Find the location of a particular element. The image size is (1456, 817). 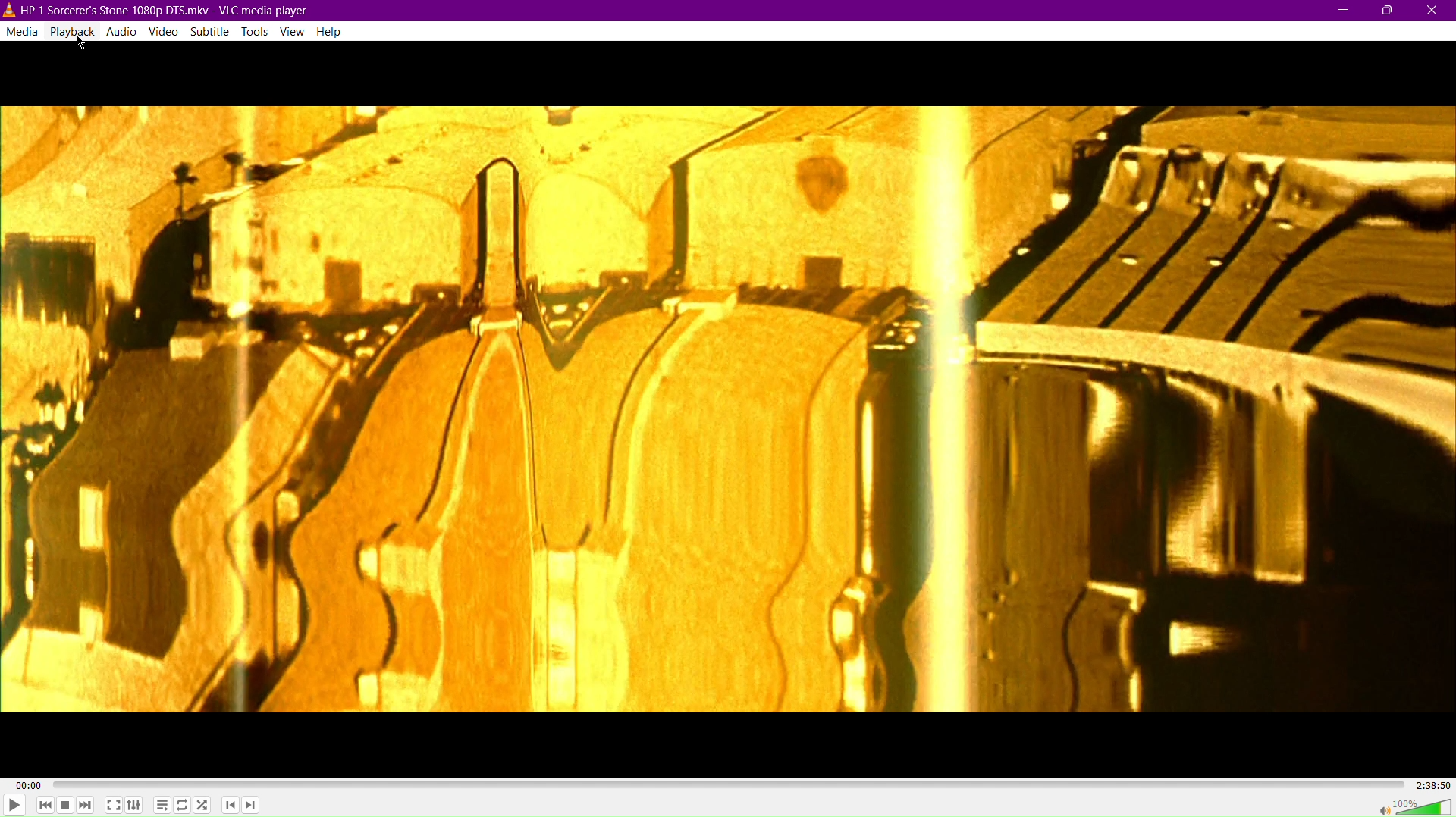

Extended Settings is located at coordinates (135, 803).